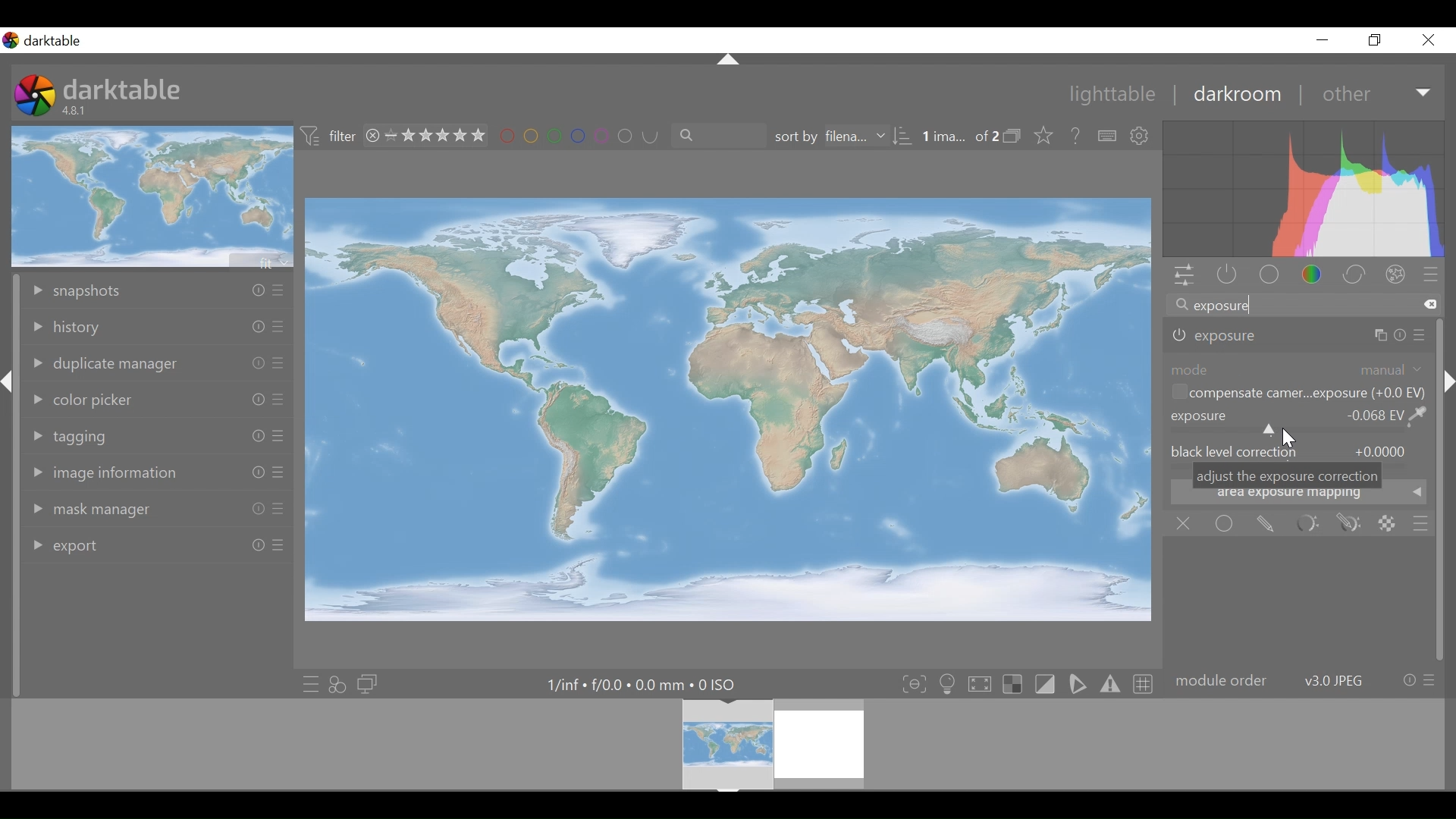  What do you see at coordinates (122, 89) in the screenshot?
I see `darktable` at bounding box center [122, 89].